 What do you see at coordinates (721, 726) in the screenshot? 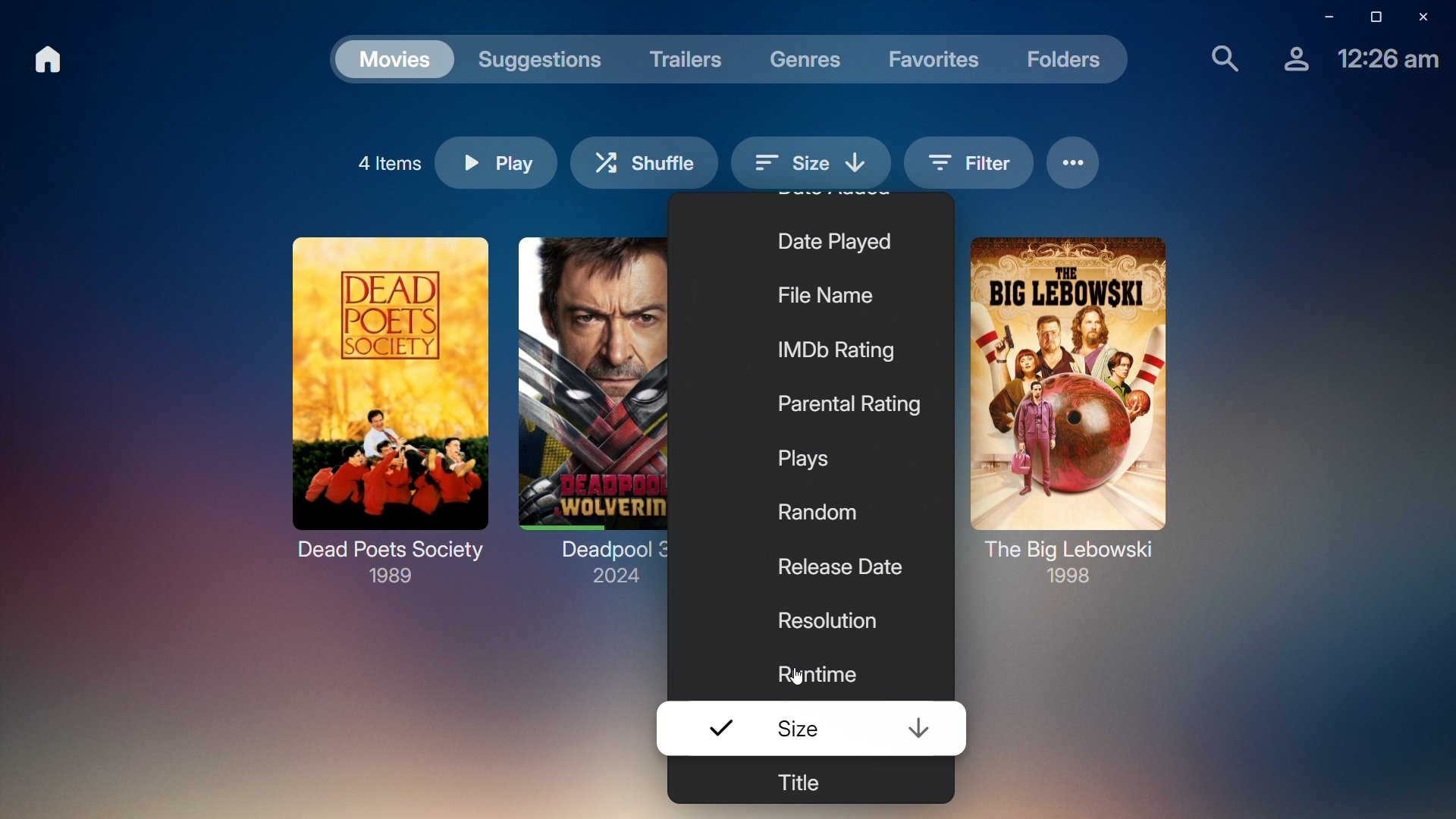
I see `Select` at bounding box center [721, 726].